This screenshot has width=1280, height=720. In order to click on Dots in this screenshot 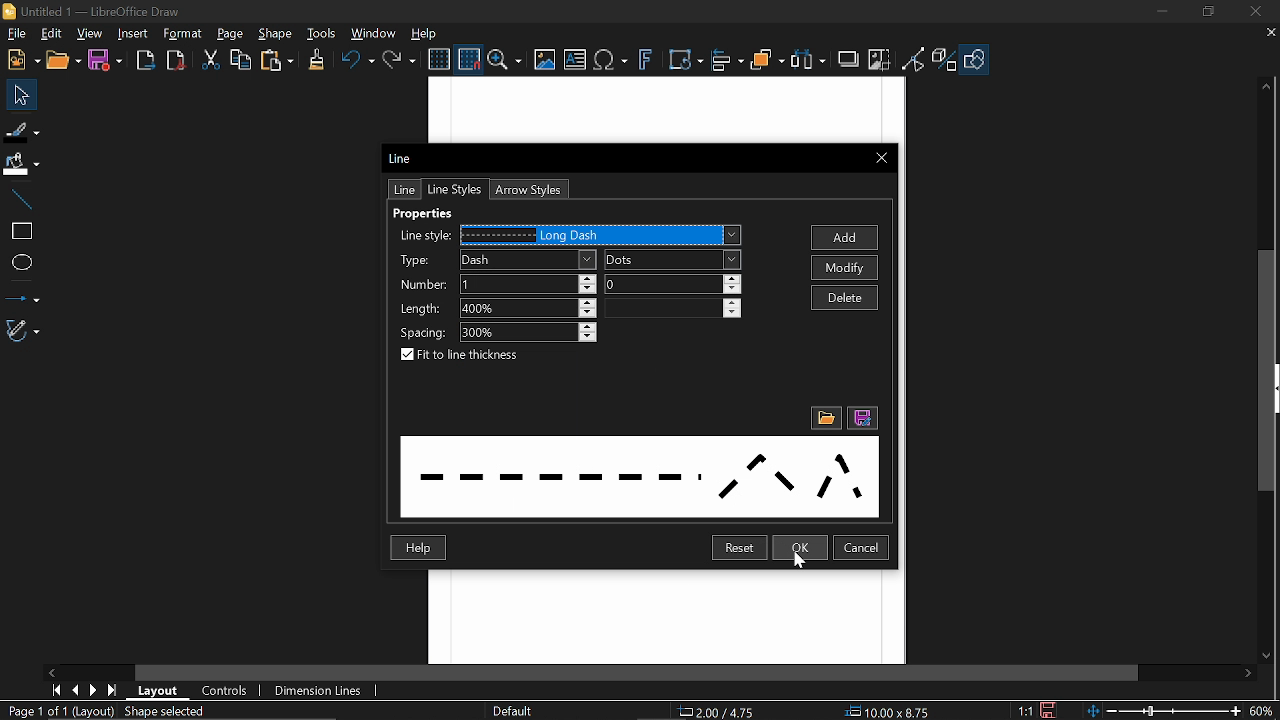, I will do `click(673, 260)`.